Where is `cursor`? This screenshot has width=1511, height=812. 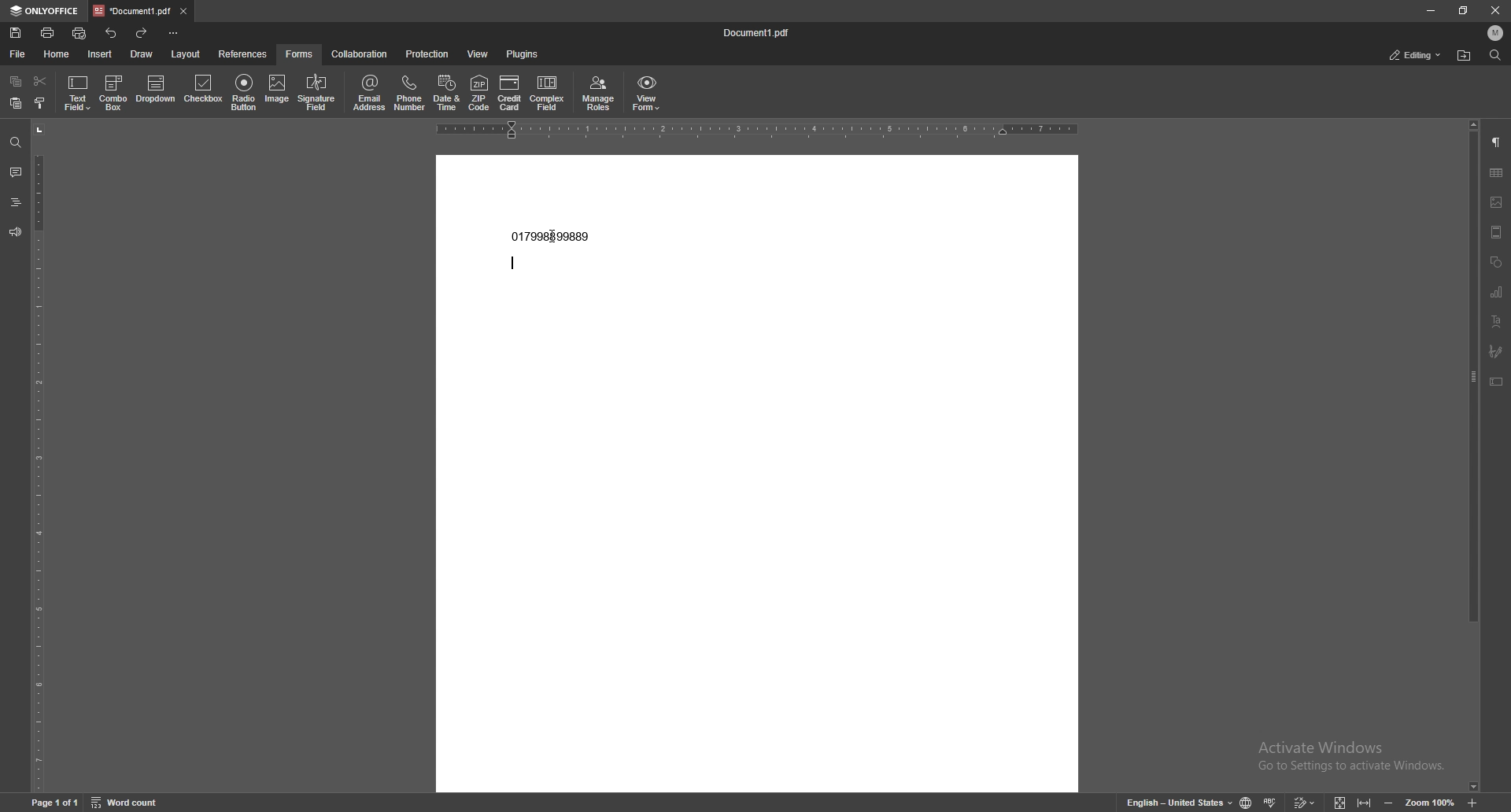 cursor is located at coordinates (552, 236).